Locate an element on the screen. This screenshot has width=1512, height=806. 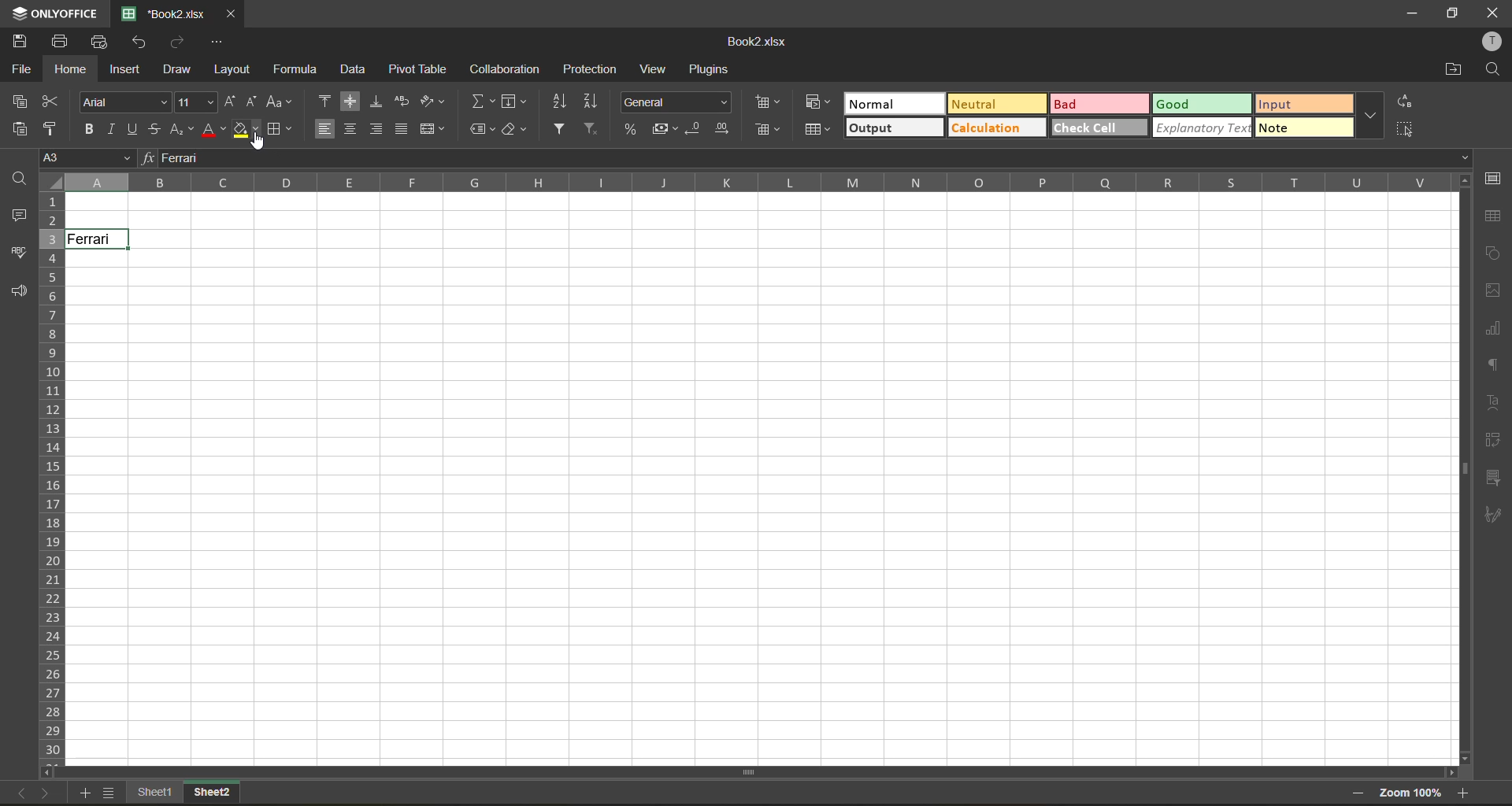
bad is located at coordinates (1099, 104).